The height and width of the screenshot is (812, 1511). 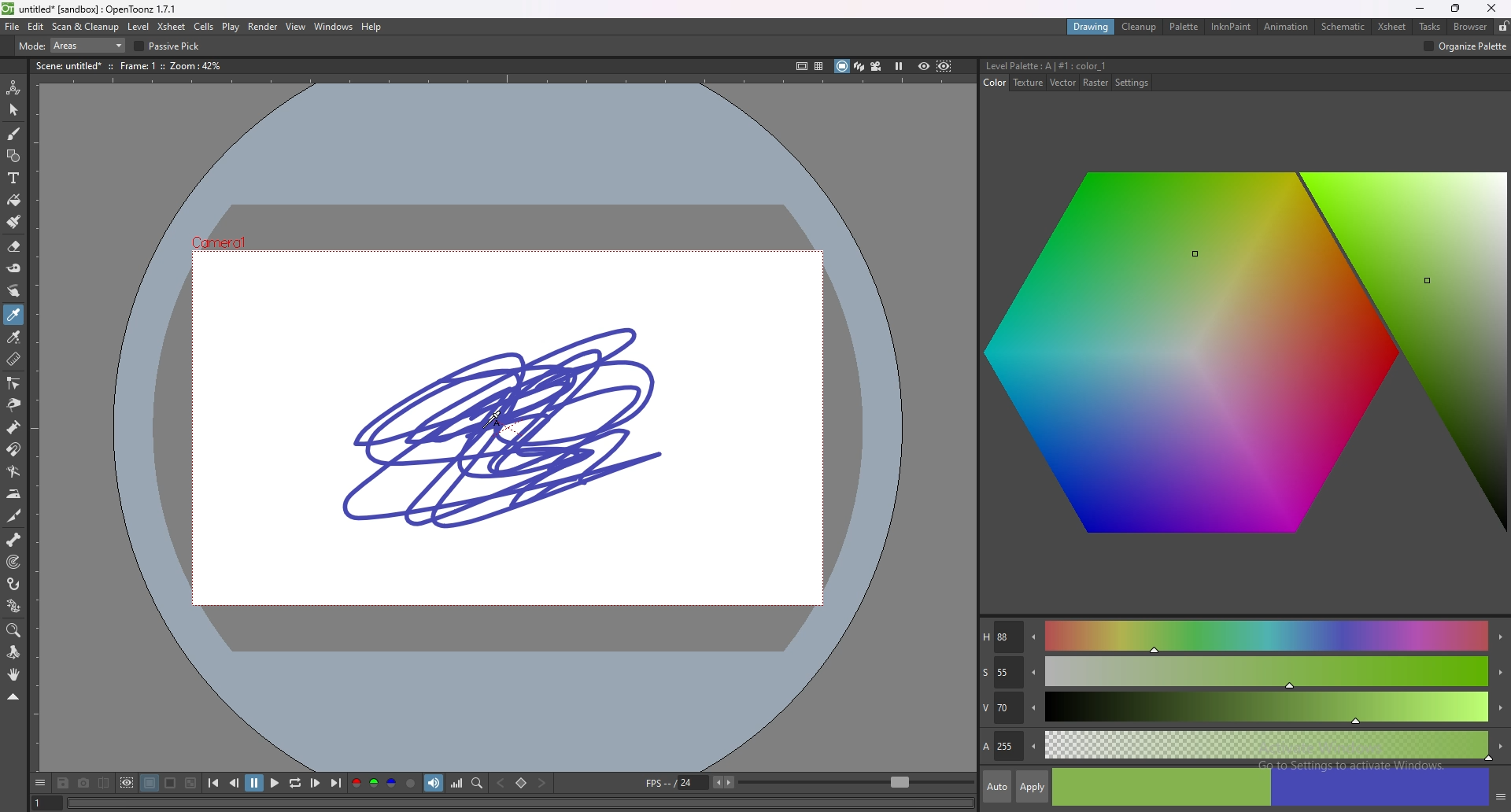 What do you see at coordinates (434, 782) in the screenshot?
I see `soundtrack` at bounding box center [434, 782].